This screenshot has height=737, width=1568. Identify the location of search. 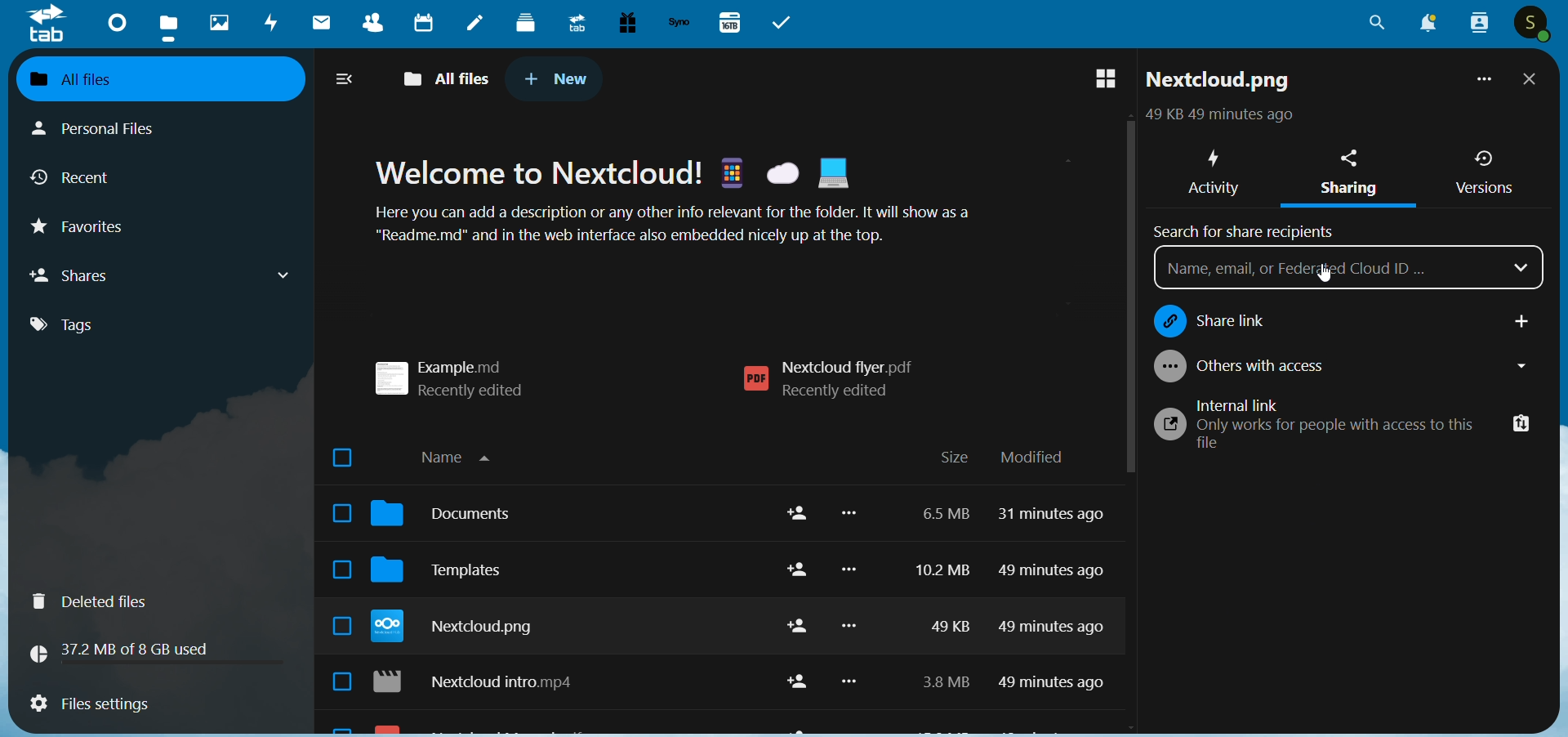
(1377, 28).